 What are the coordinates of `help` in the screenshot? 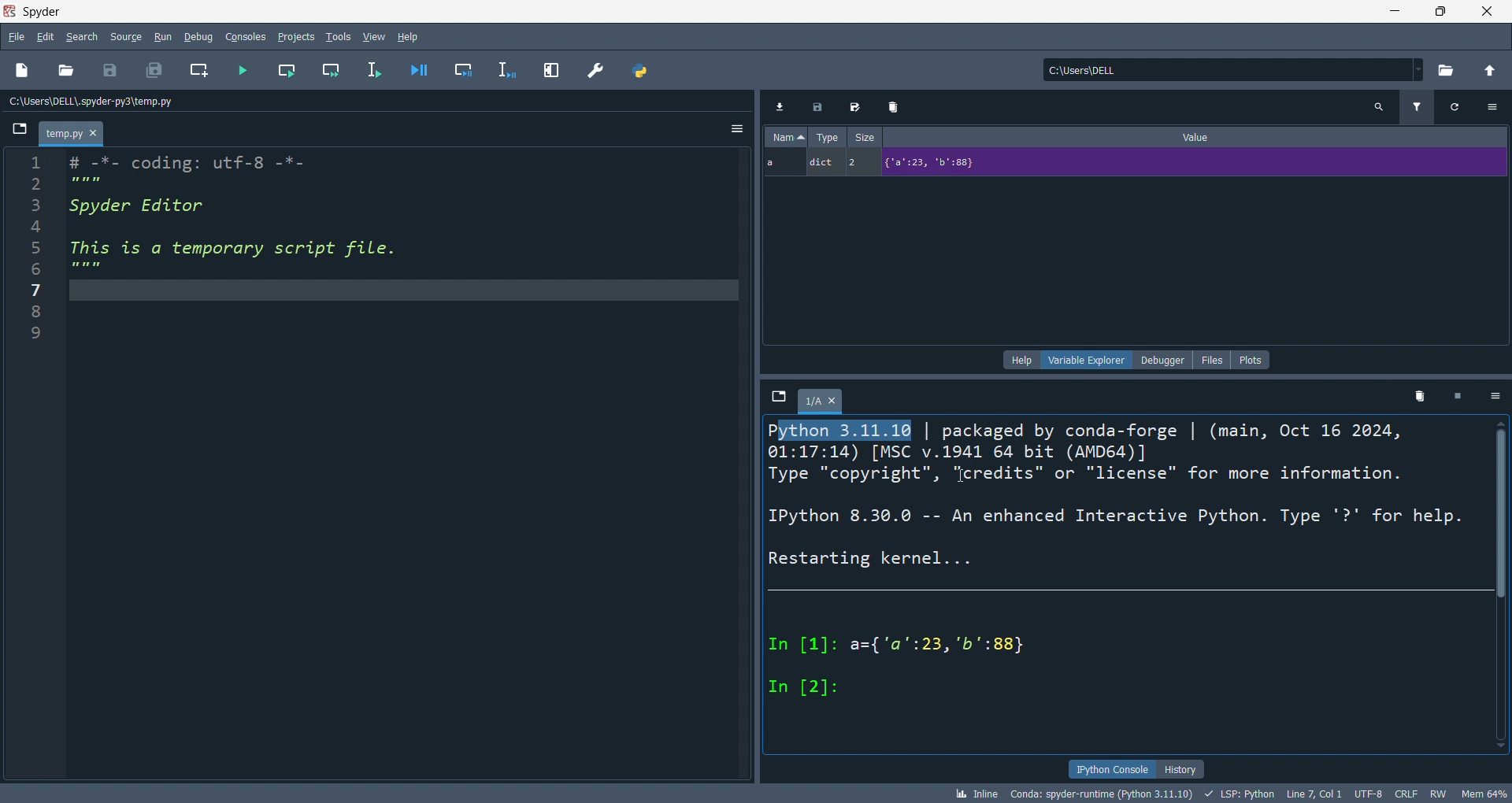 It's located at (411, 37).